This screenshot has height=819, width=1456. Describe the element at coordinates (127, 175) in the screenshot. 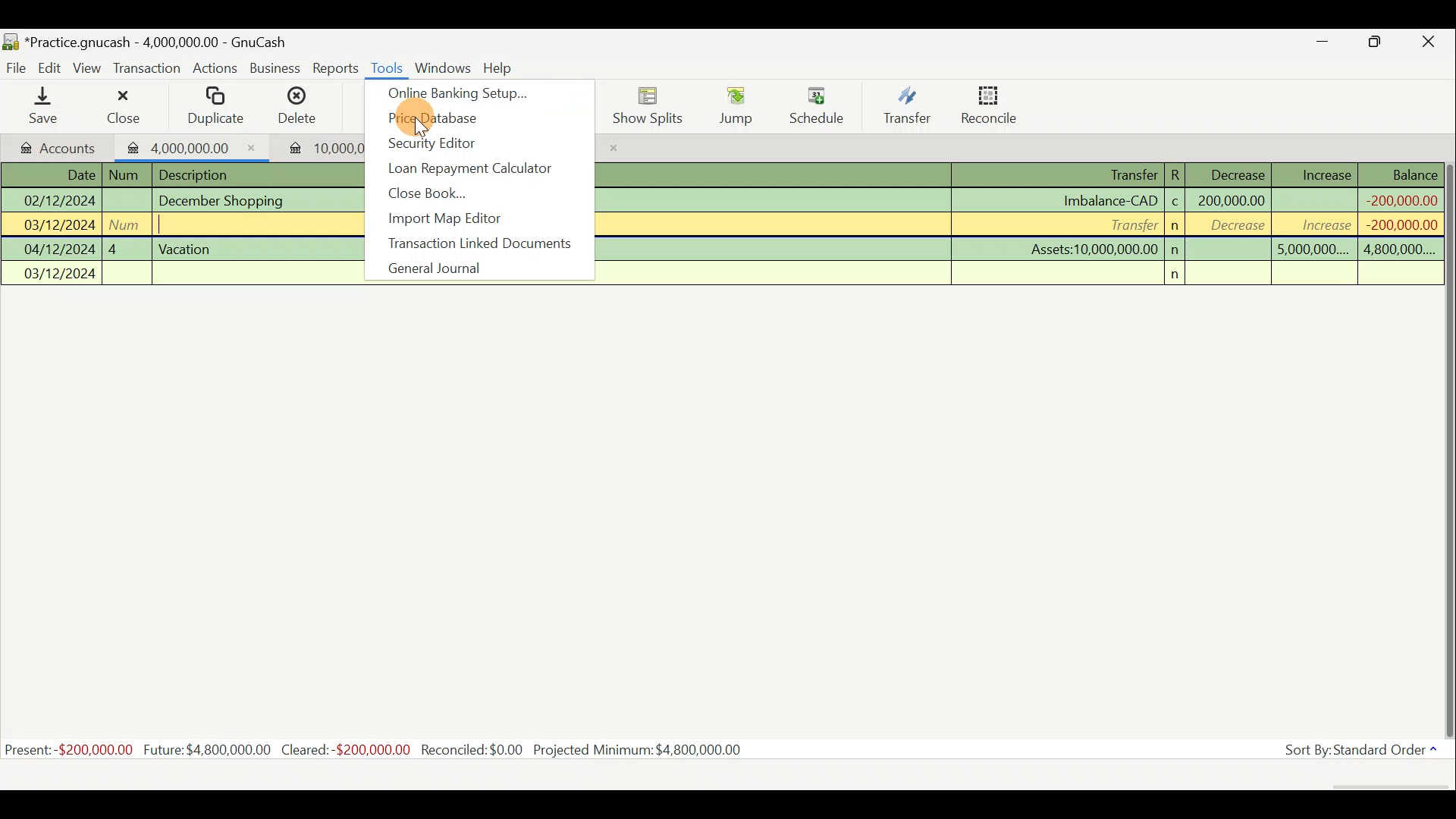

I see `num` at that location.